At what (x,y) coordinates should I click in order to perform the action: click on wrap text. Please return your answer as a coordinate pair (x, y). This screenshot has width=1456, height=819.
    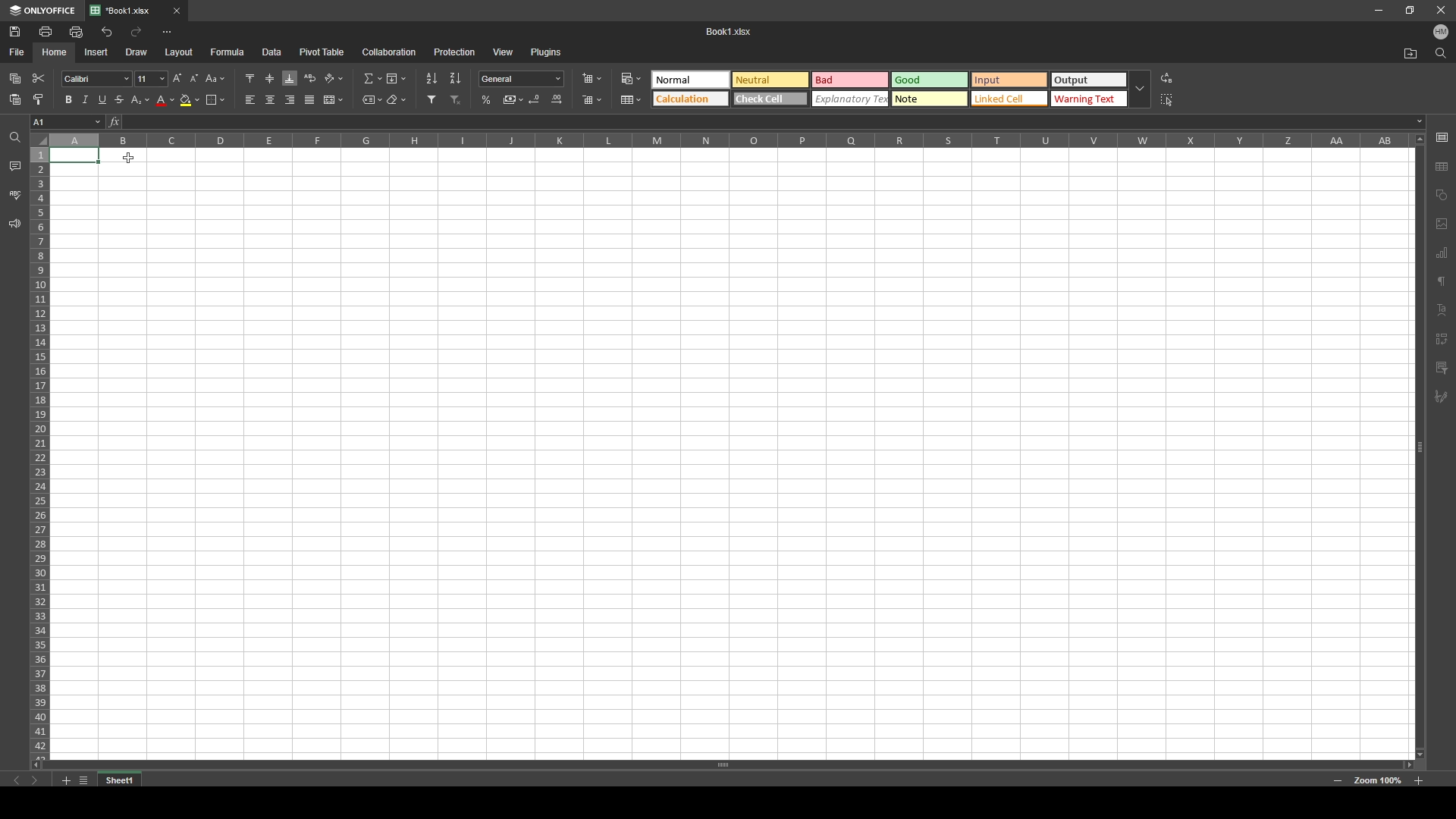
    Looking at the image, I should click on (311, 77).